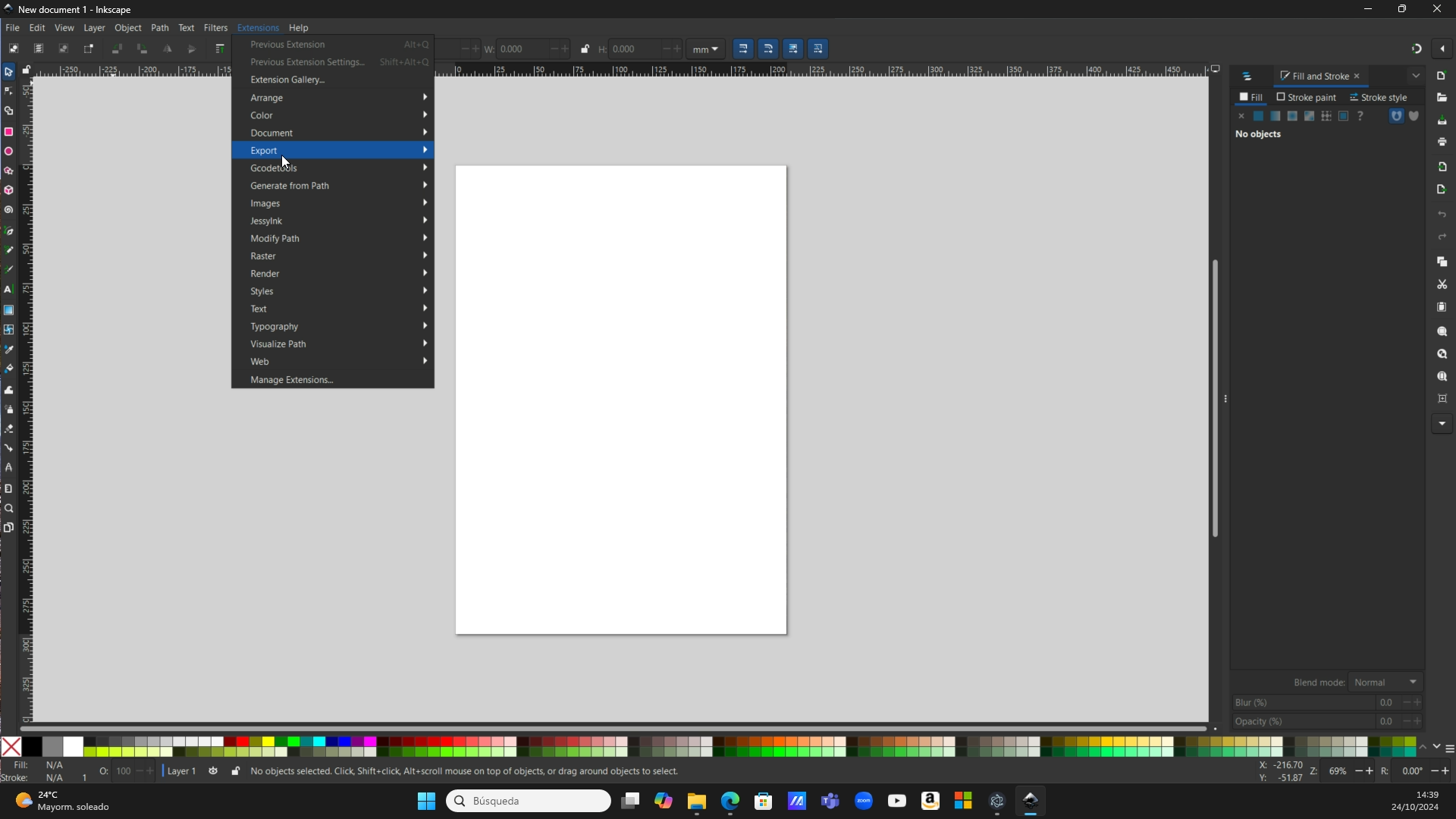  What do you see at coordinates (340, 150) in the screenshot?
I see `Export` at bounding box center [340, 150].